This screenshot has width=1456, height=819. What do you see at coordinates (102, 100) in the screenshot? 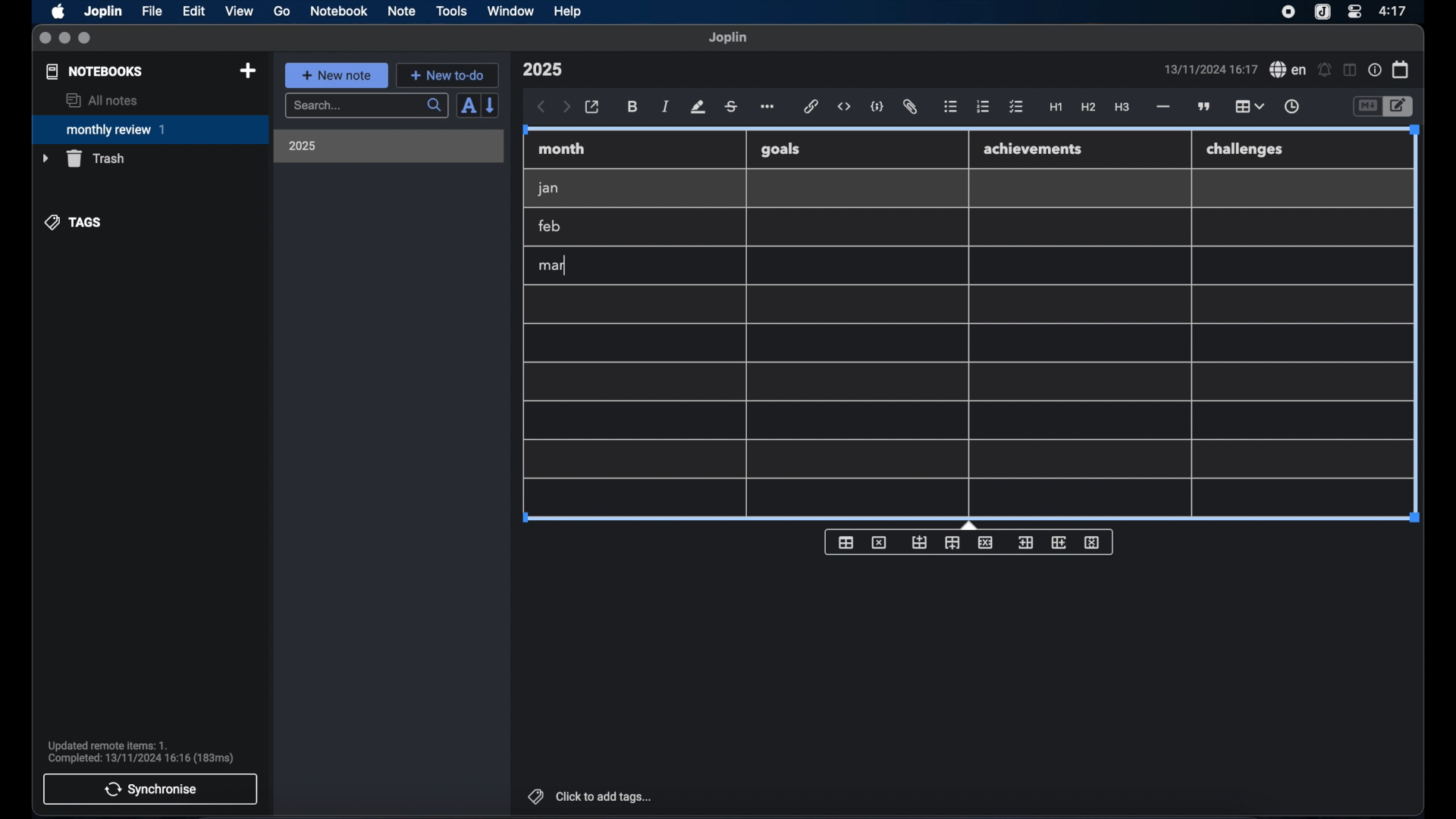
I see `all notes` at bounding box center [102, 100].